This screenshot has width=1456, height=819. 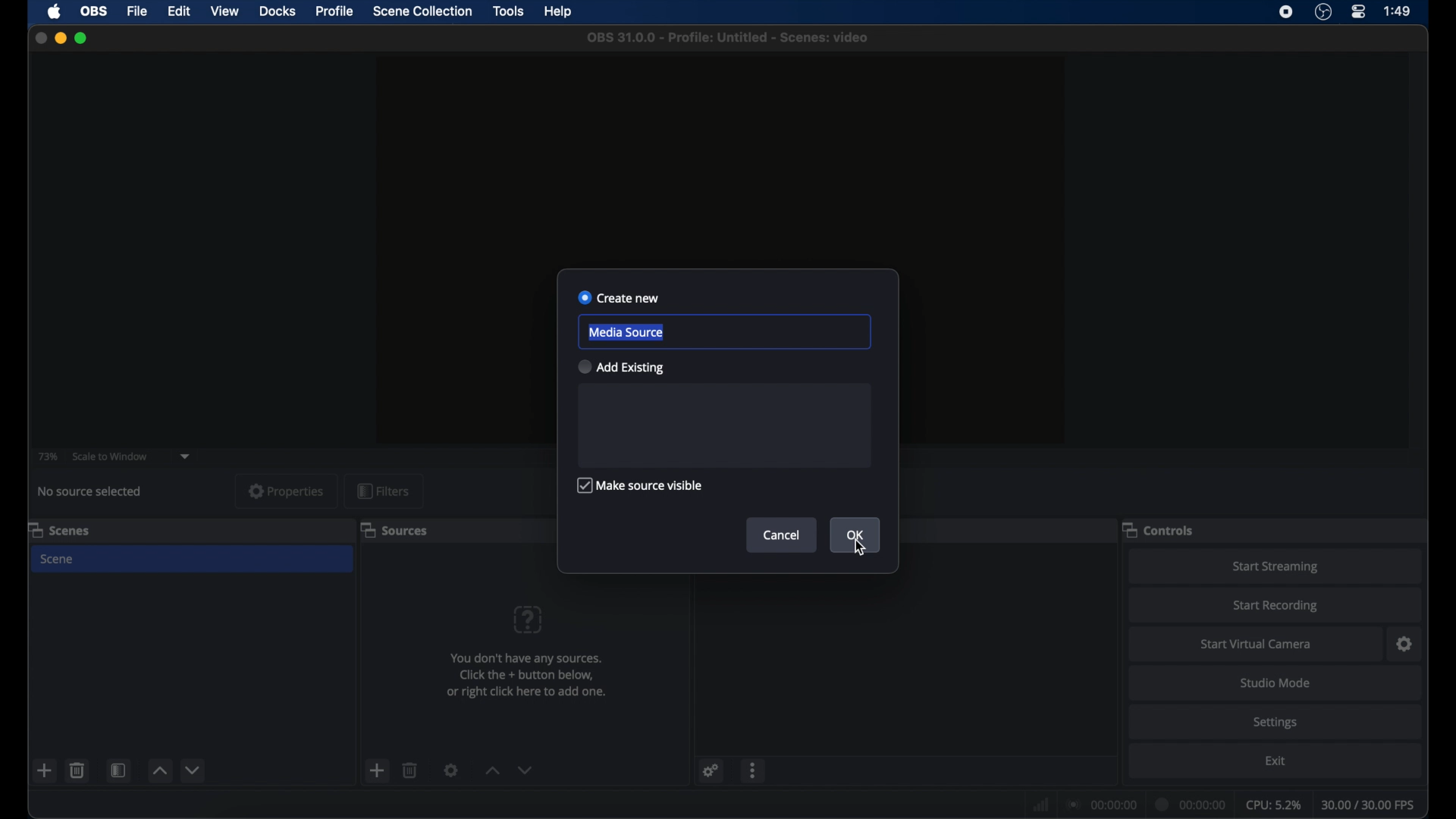 What do you see at coordinates (111, 457) in the screenshot?
I see `scale to window` at bounding box center [111, 457].